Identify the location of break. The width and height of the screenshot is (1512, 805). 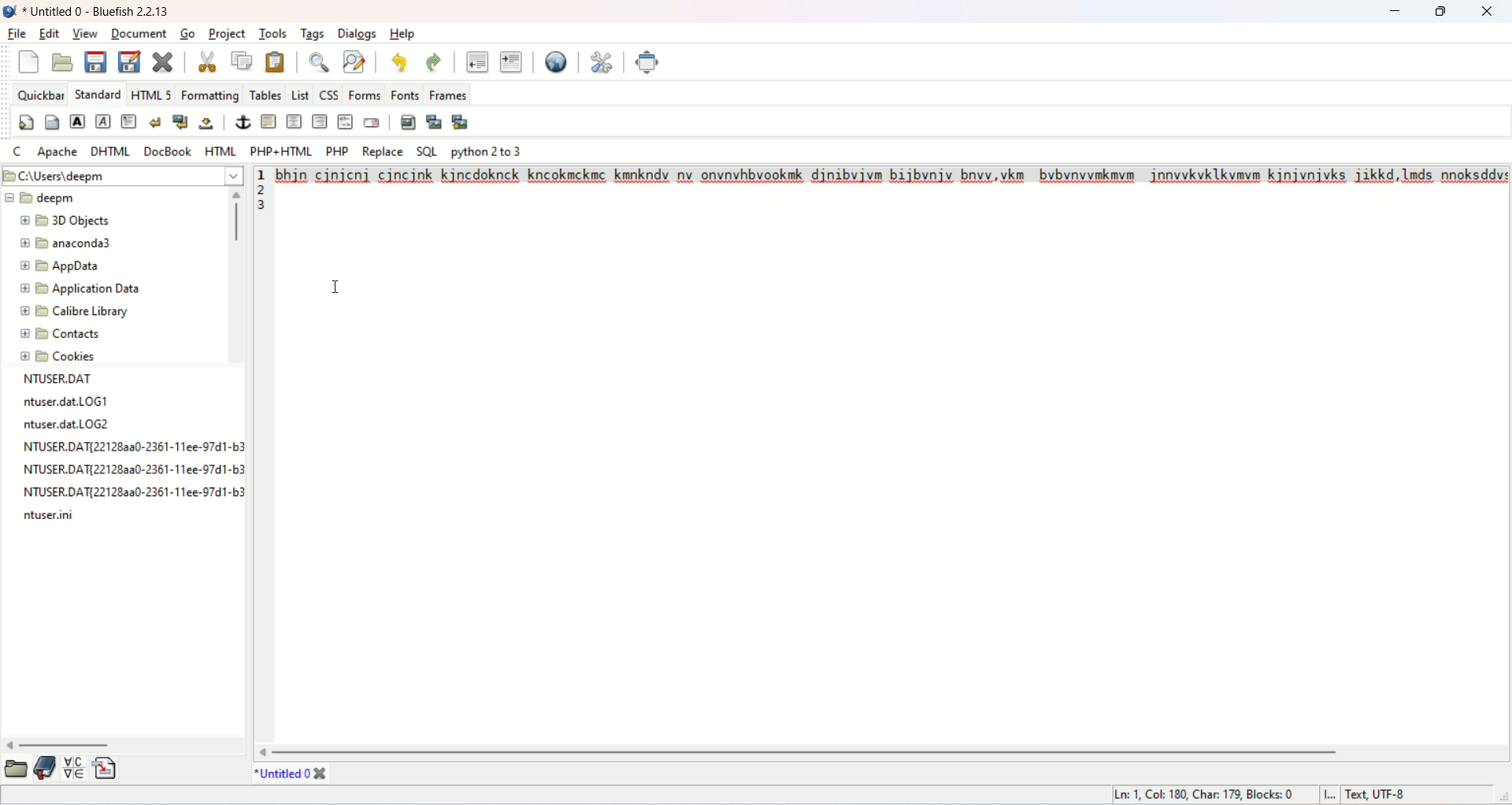
(154, 121).